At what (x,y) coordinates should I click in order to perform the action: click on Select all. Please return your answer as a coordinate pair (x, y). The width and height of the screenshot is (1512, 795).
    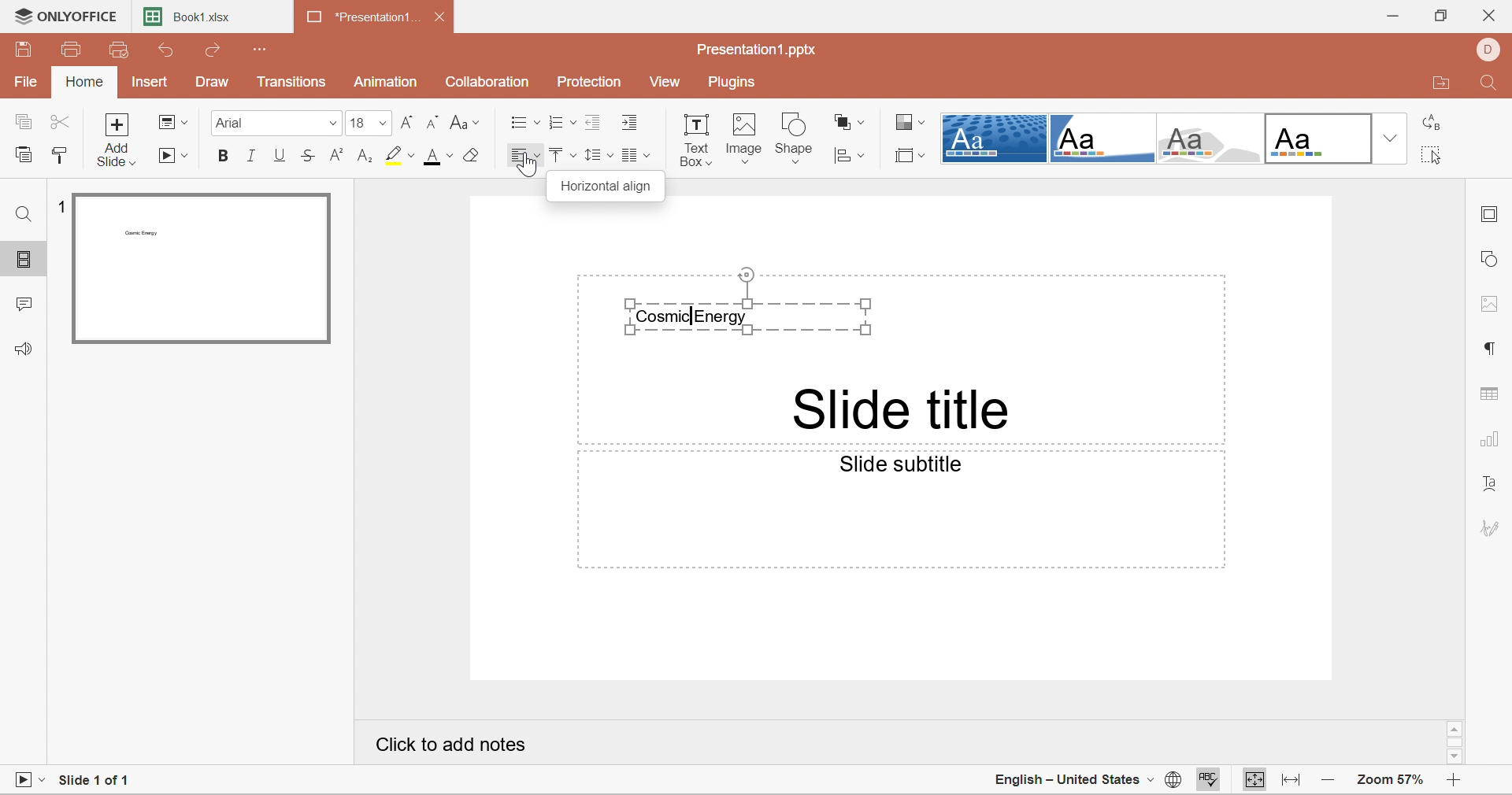
    Looking at the image, I should click on (1432, 154).